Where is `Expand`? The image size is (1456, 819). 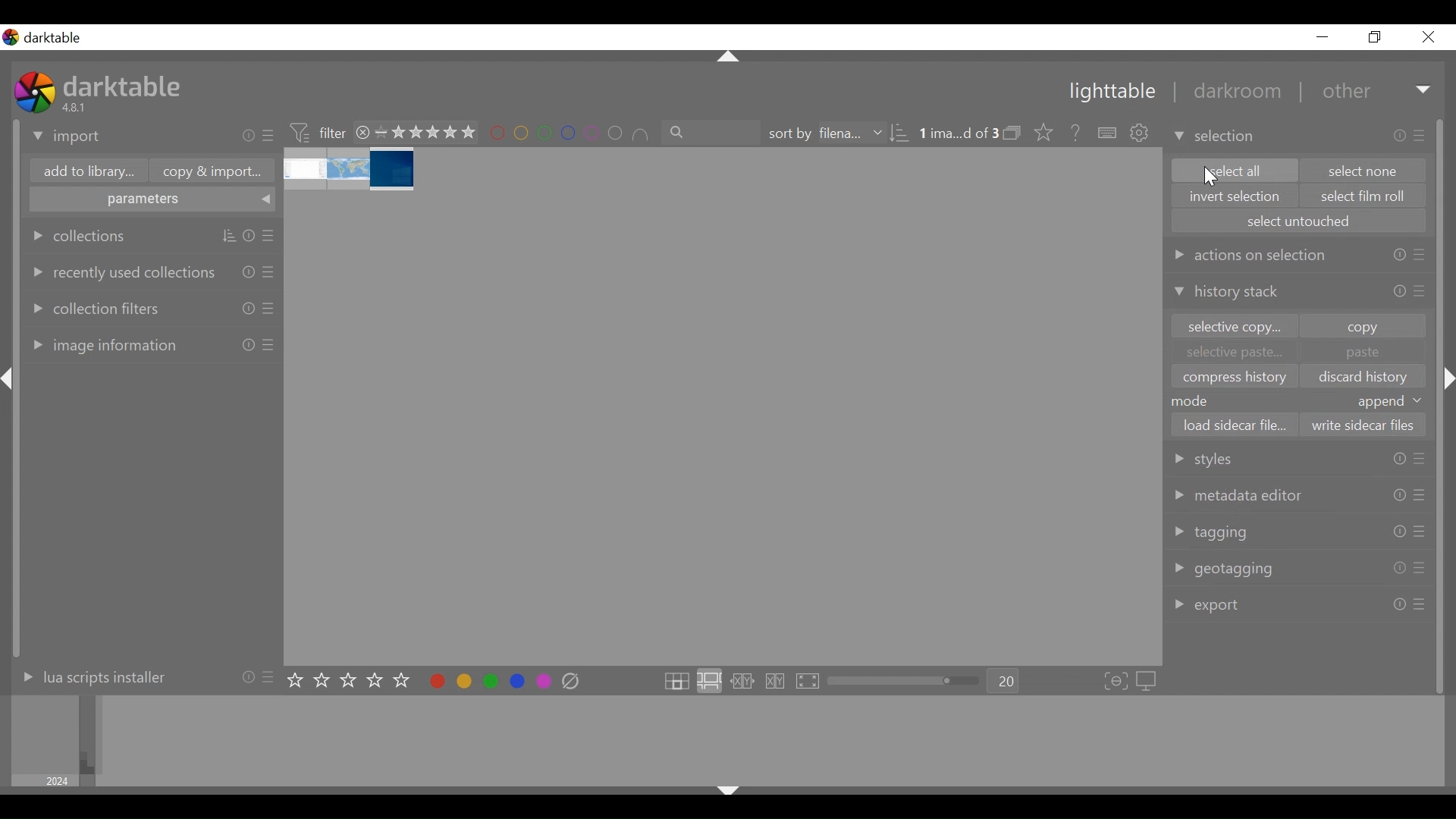
Expand is located at coordinates (1425, 91).